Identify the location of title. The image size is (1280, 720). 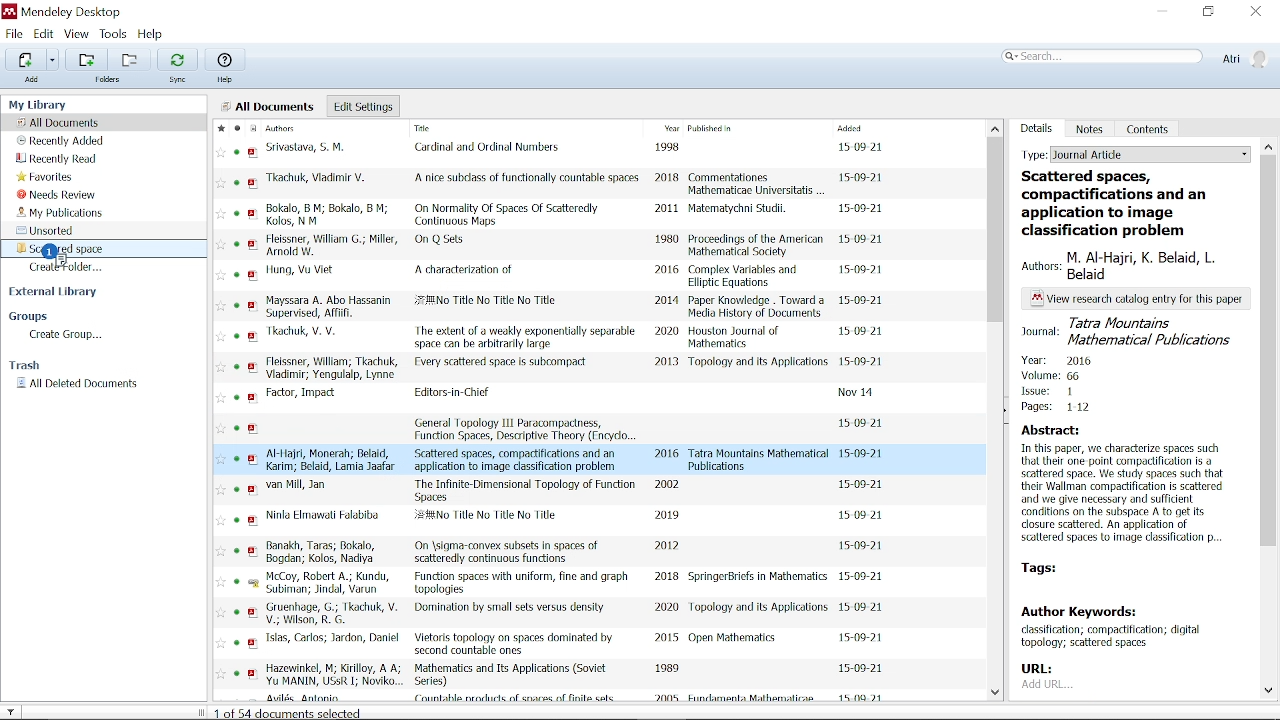
(525, 490).